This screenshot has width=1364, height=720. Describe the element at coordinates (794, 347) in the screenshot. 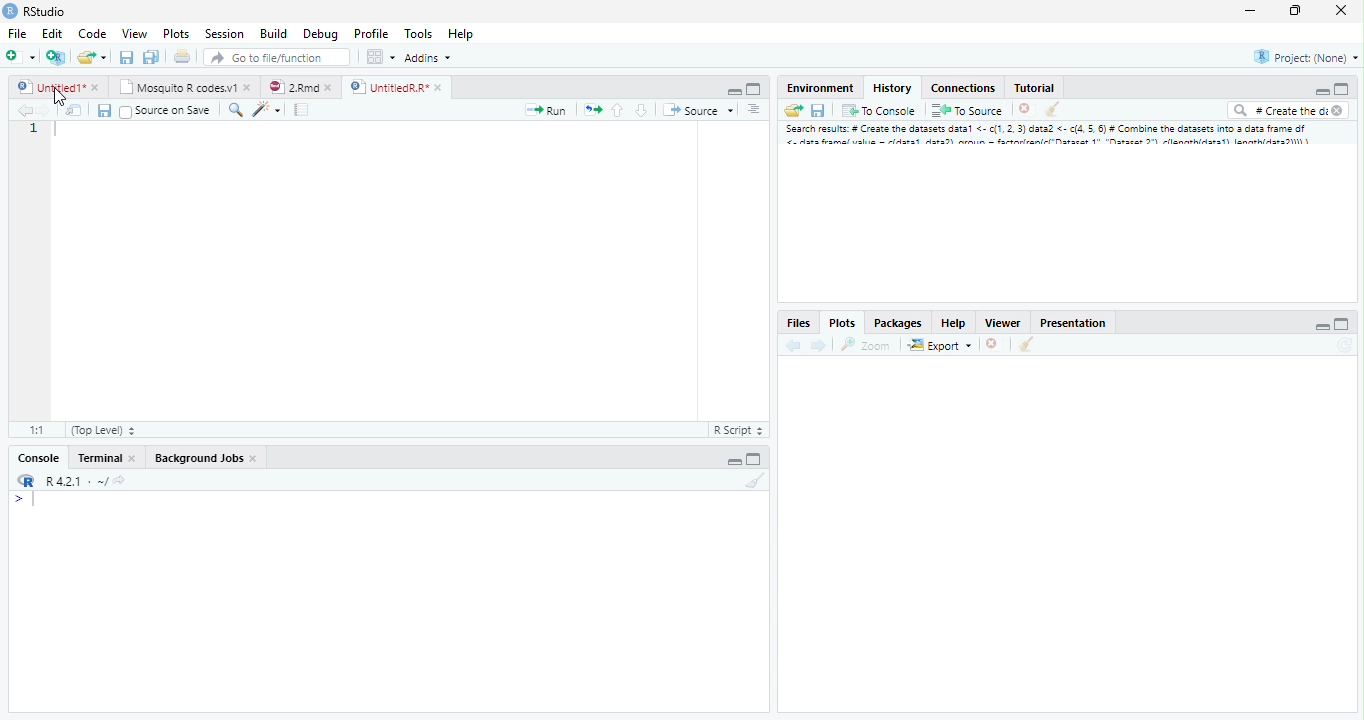

I see `back` at that location.